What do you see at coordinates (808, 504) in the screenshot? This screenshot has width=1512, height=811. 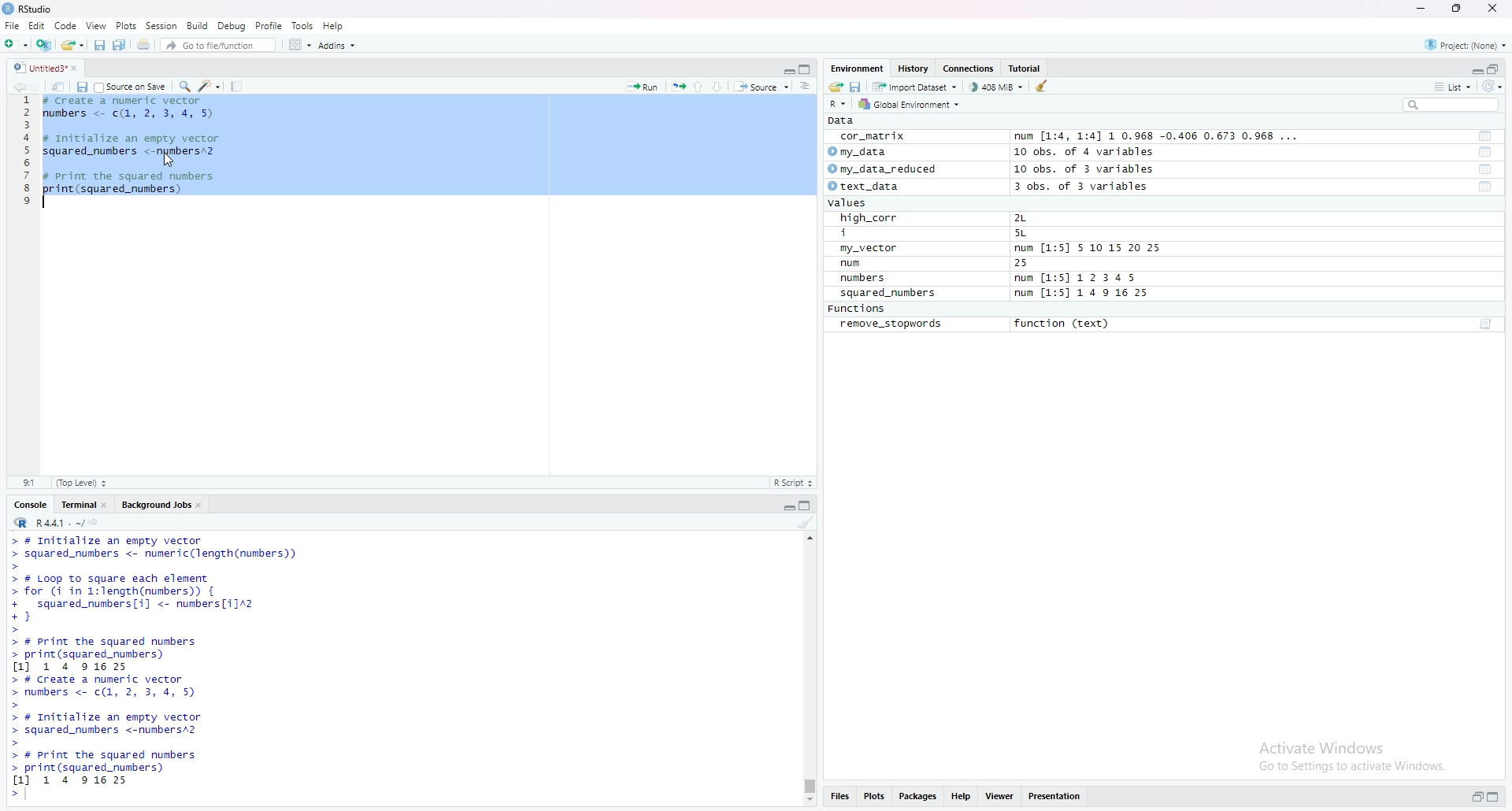 I see `maximize` at bounding box center [808, 504].